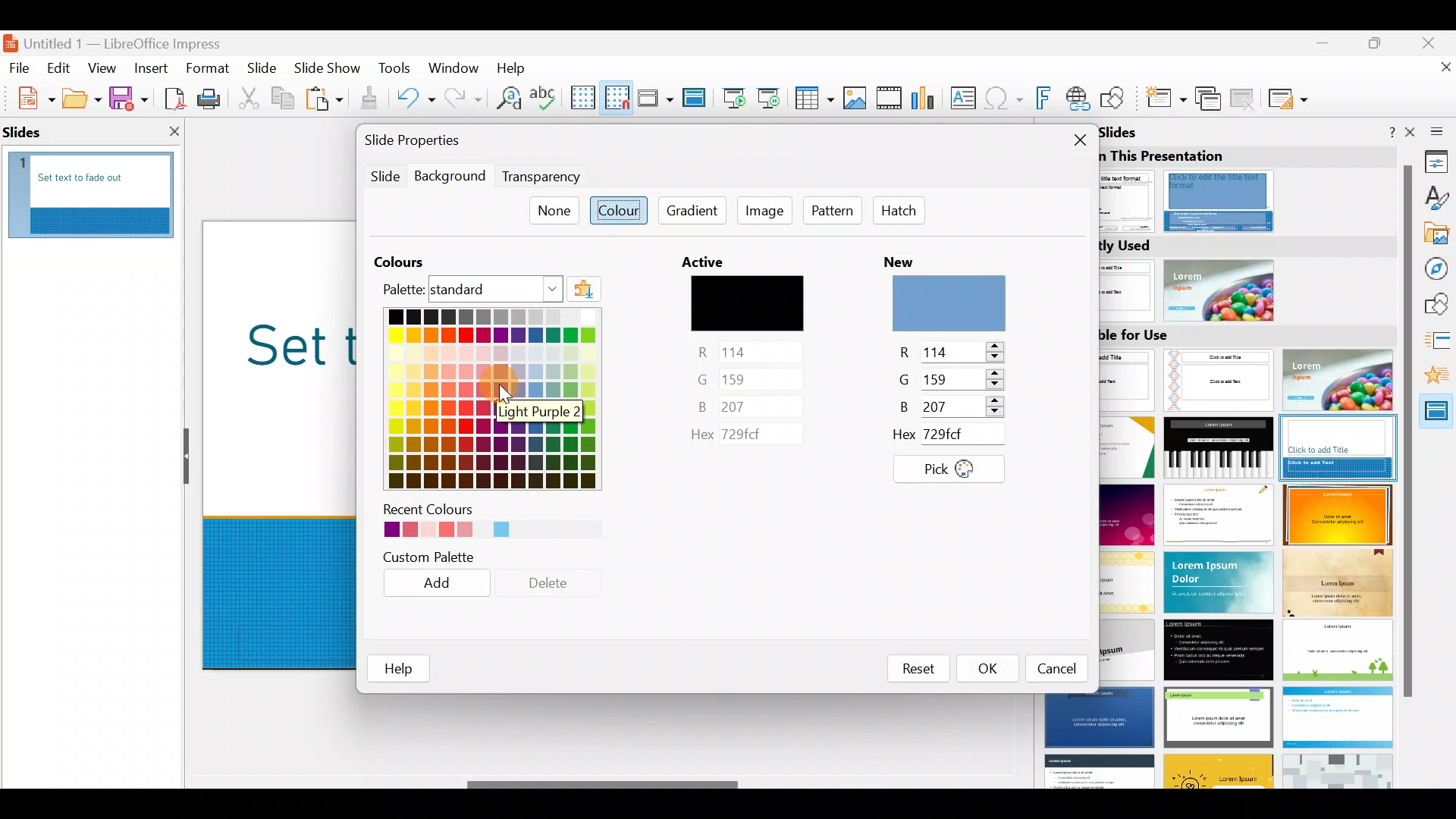 This screenshot has width=1456, height=819. What do you see at coordinates (953, 406) in the screenshot?
I see `blue` at bounding box center [953, 406].